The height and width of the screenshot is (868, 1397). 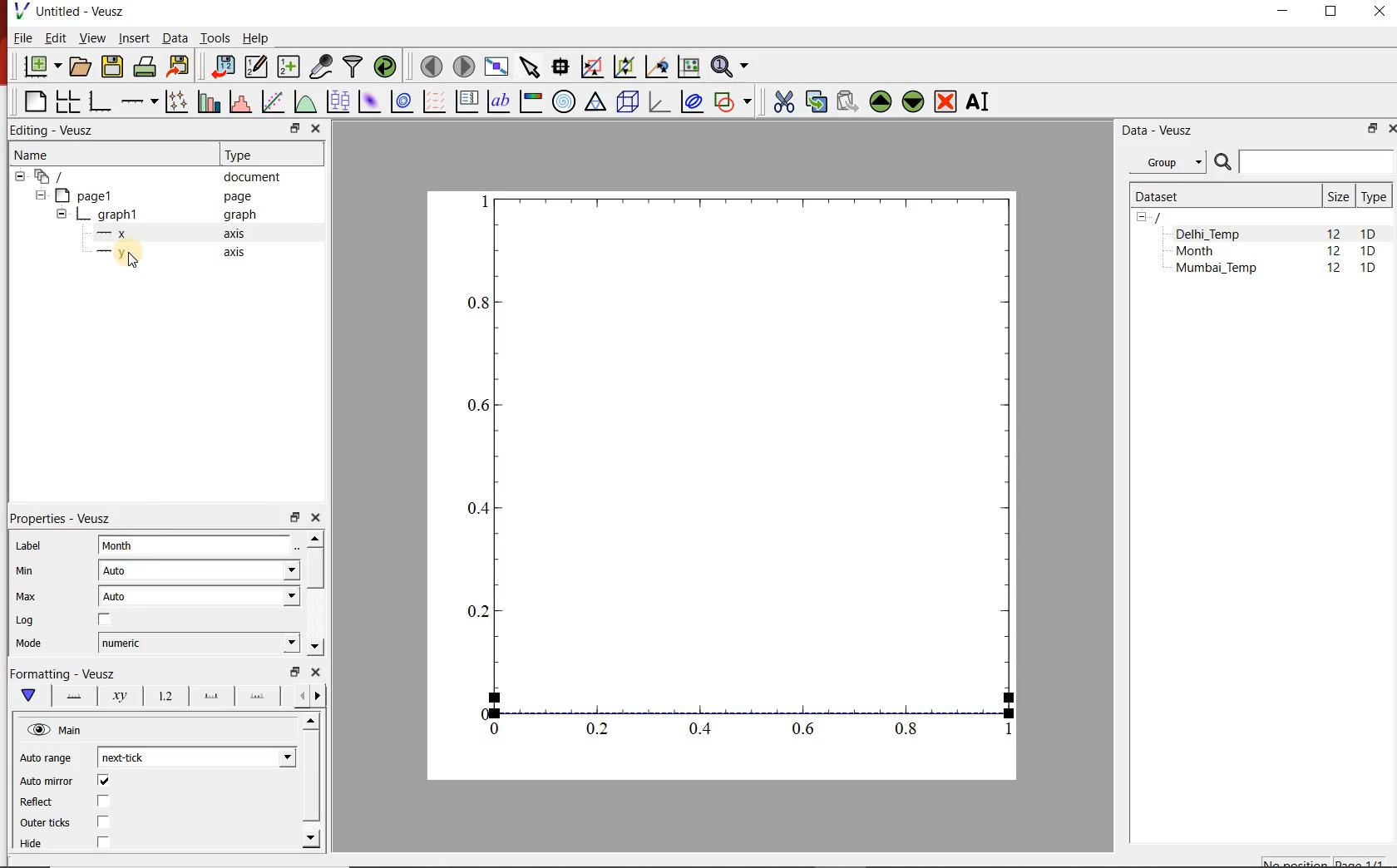 What do you see at coordinates (272, 101) in the screenshot?
I see `fit a function to data` at bounding box center [272, 101].